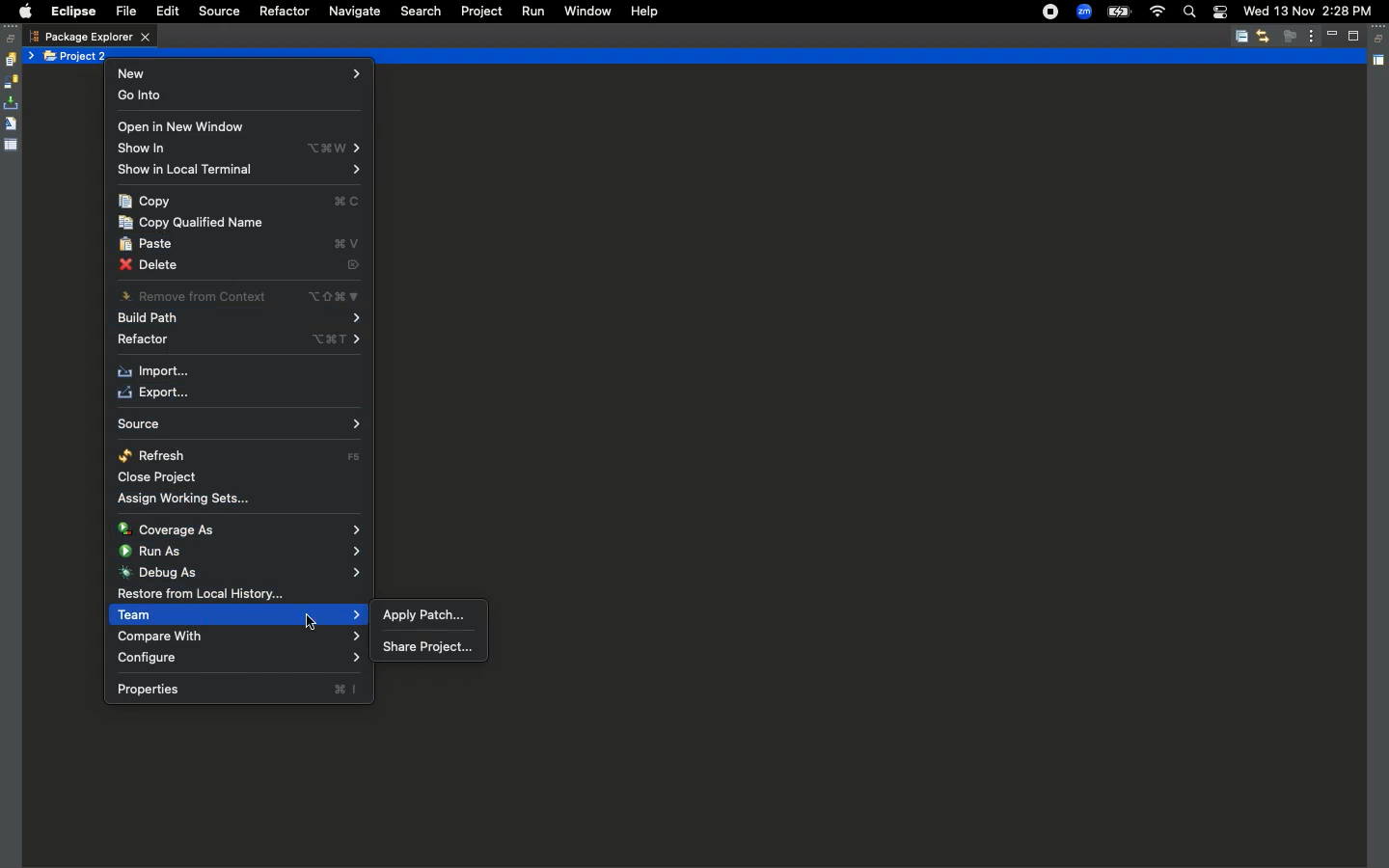  I want to click on Team, so click(238, 615).